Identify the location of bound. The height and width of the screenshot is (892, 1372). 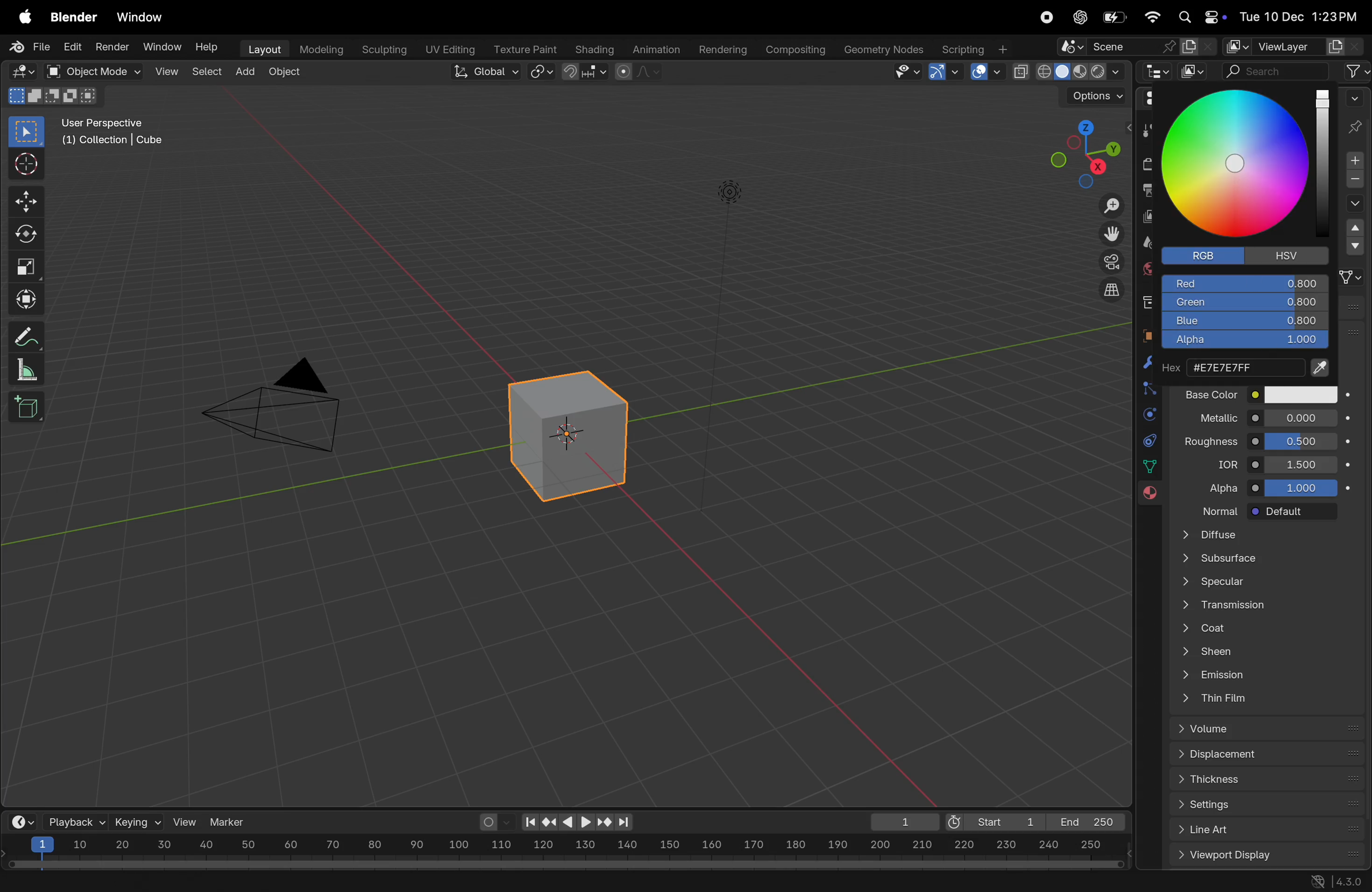
(1146, 387).